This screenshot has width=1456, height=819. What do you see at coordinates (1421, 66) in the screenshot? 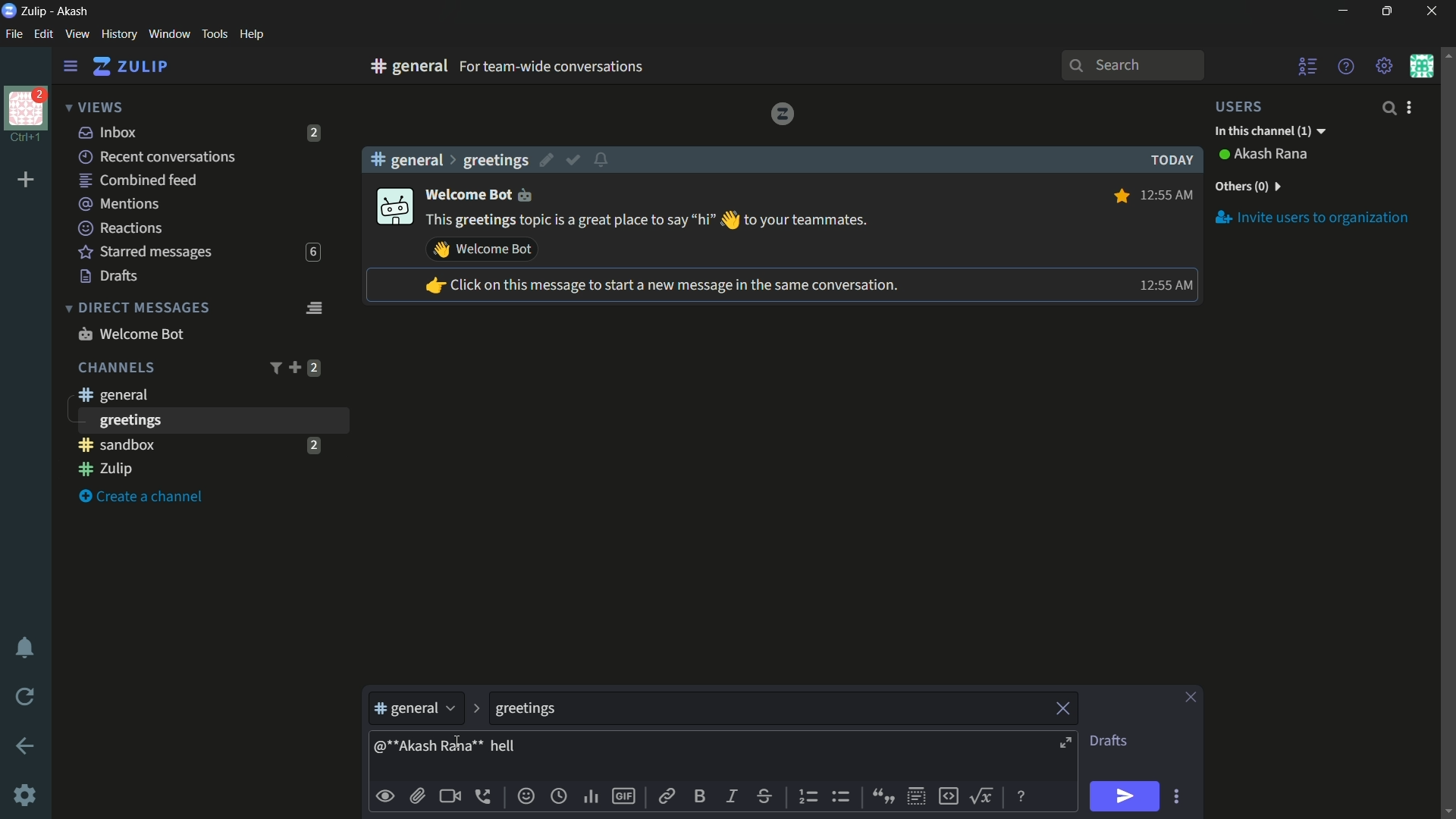
I see `personal menu` at bounding box center [1421, 66].